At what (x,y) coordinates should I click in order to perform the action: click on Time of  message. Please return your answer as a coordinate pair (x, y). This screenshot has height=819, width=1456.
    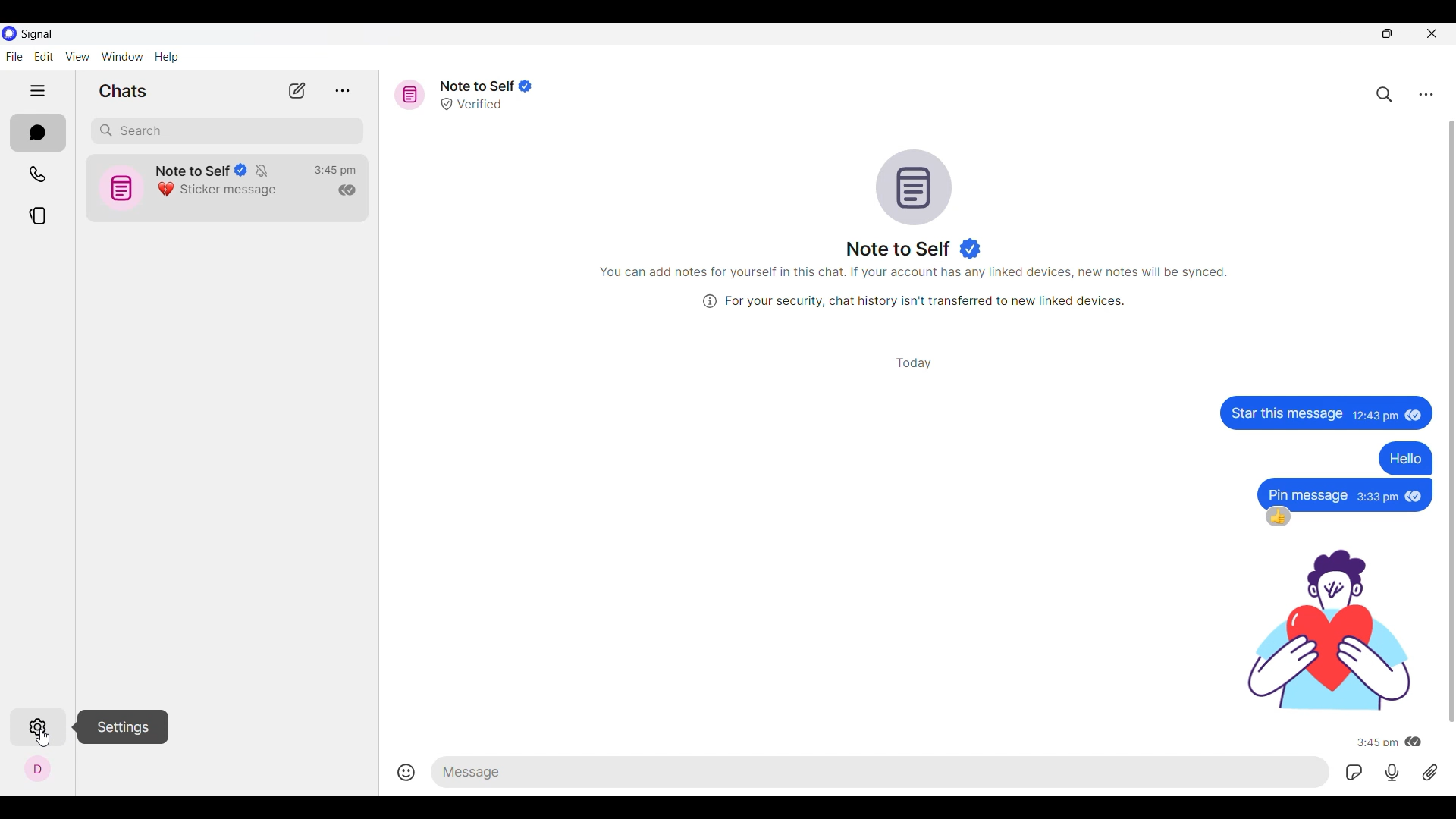
    Looking at the image, I should click on (1379, 496).